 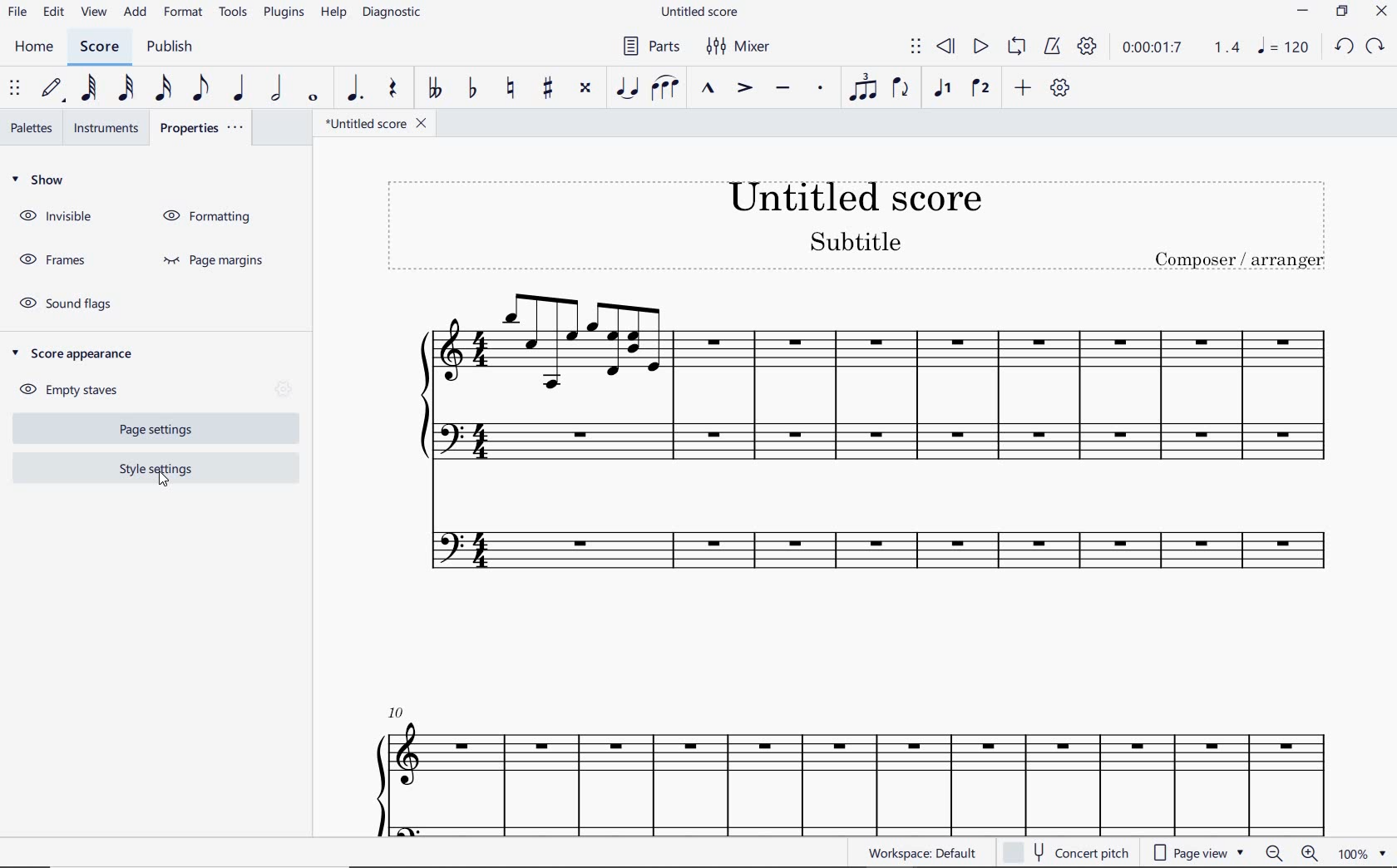 What do you see at coordinates (17, 12) in the screenshot?
I see `FILE` at bounding box center [17, 12].